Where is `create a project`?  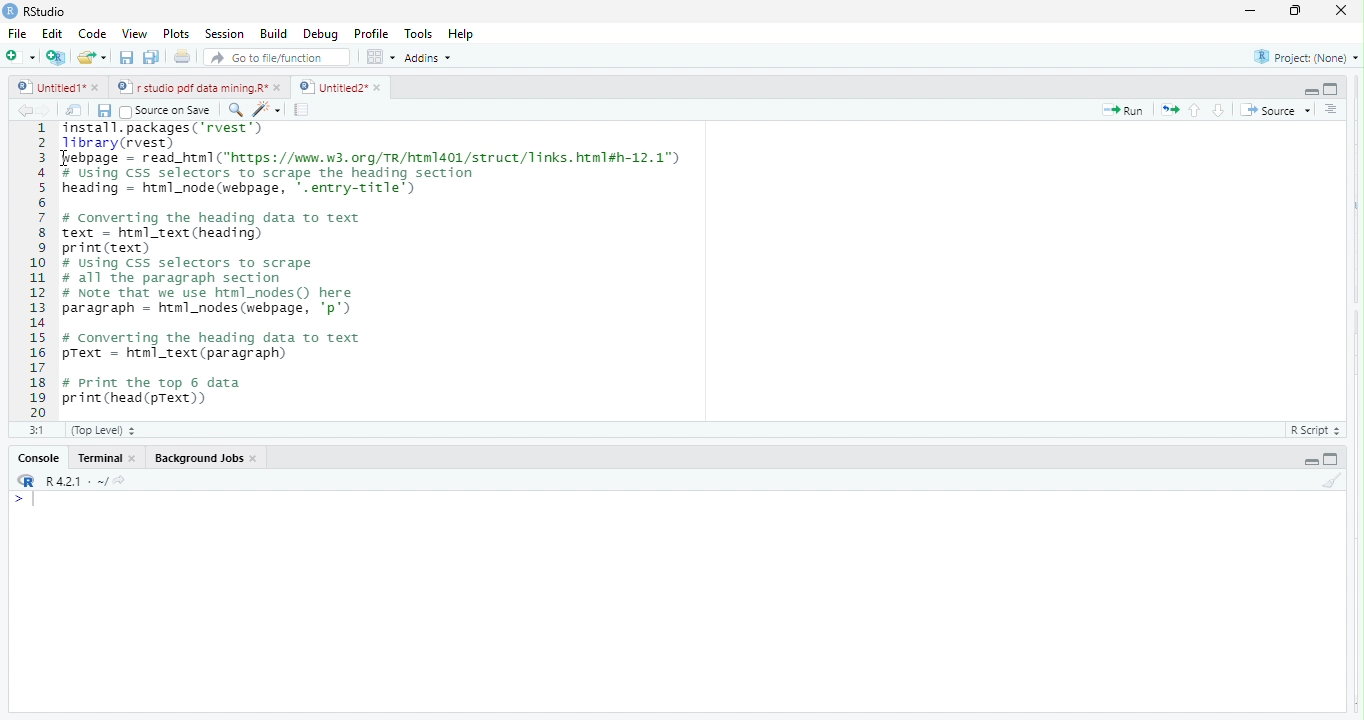
create a project is located at coordinates (54, 57).